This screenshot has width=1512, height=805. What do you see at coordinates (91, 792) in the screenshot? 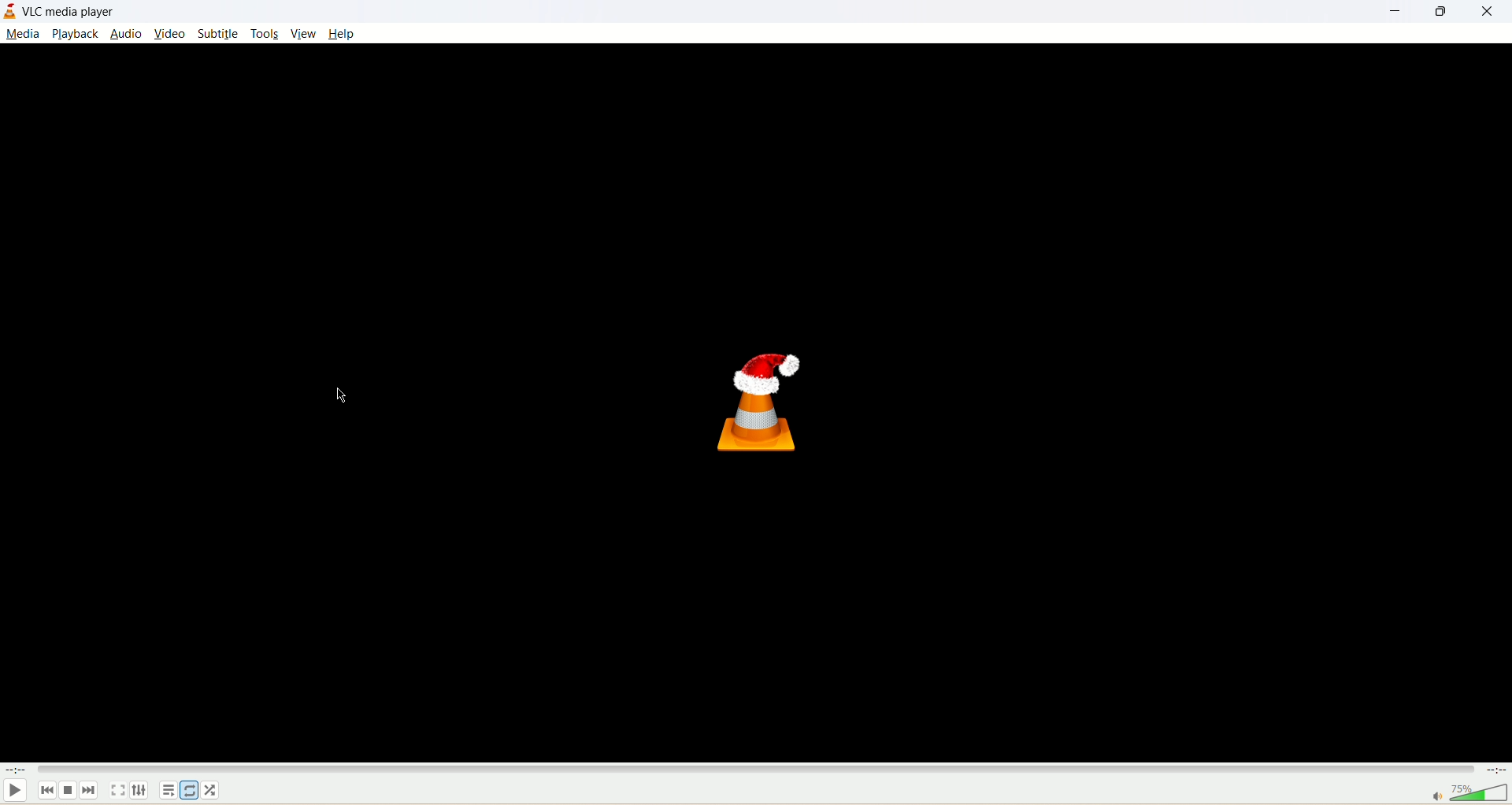
I see `next` at bounding box center [91, 792].